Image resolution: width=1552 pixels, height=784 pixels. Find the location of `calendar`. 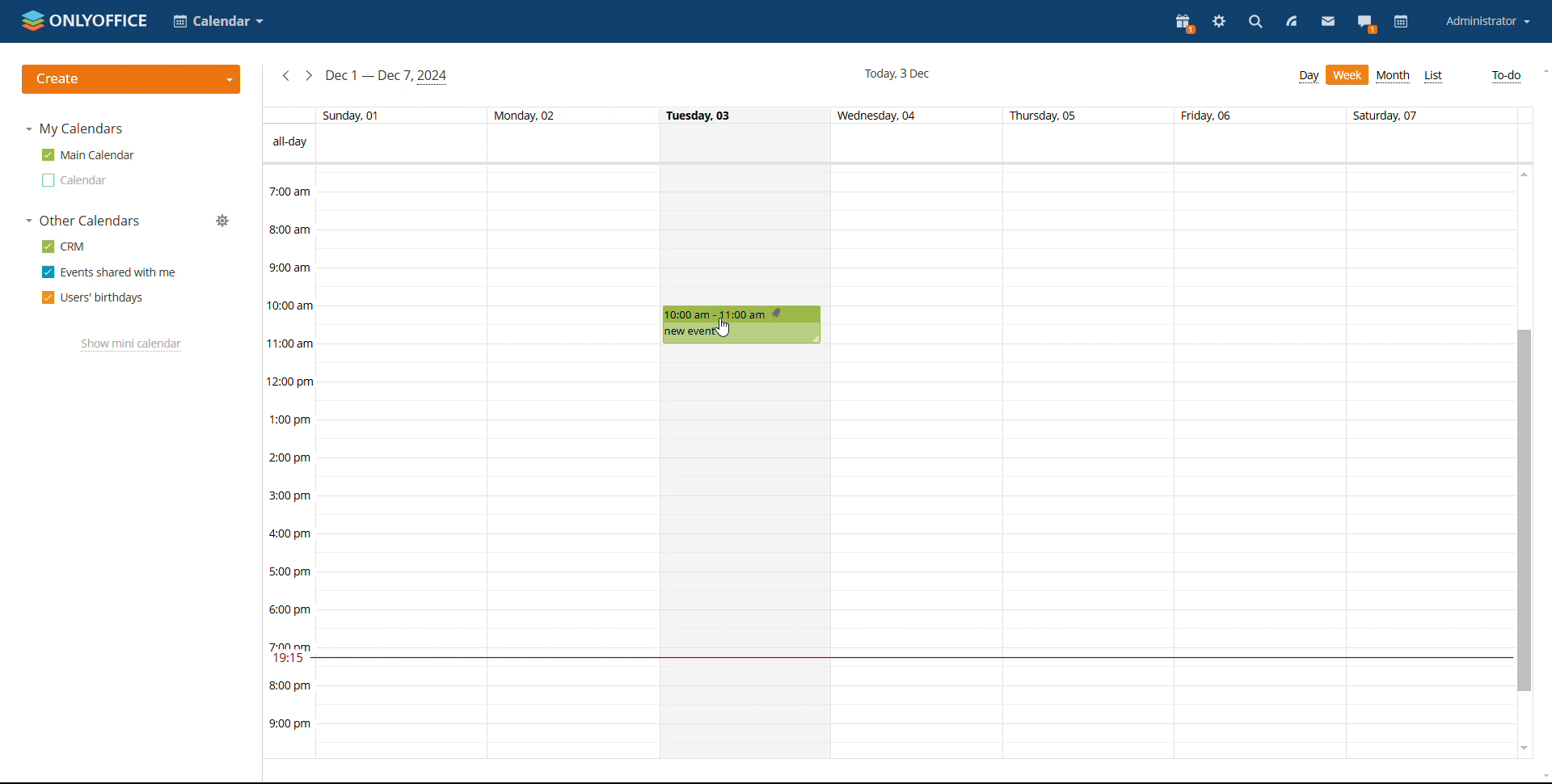

calendar is located at coordinates (1401, 23).